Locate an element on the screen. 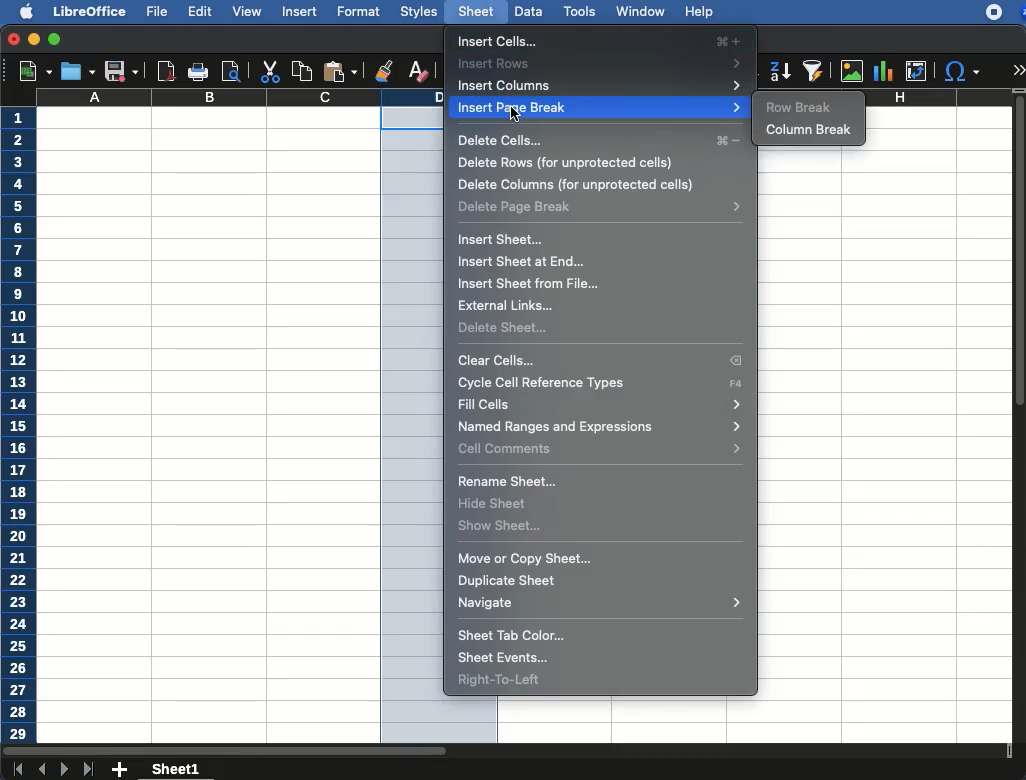  column break is located at coordinates (814, 128).